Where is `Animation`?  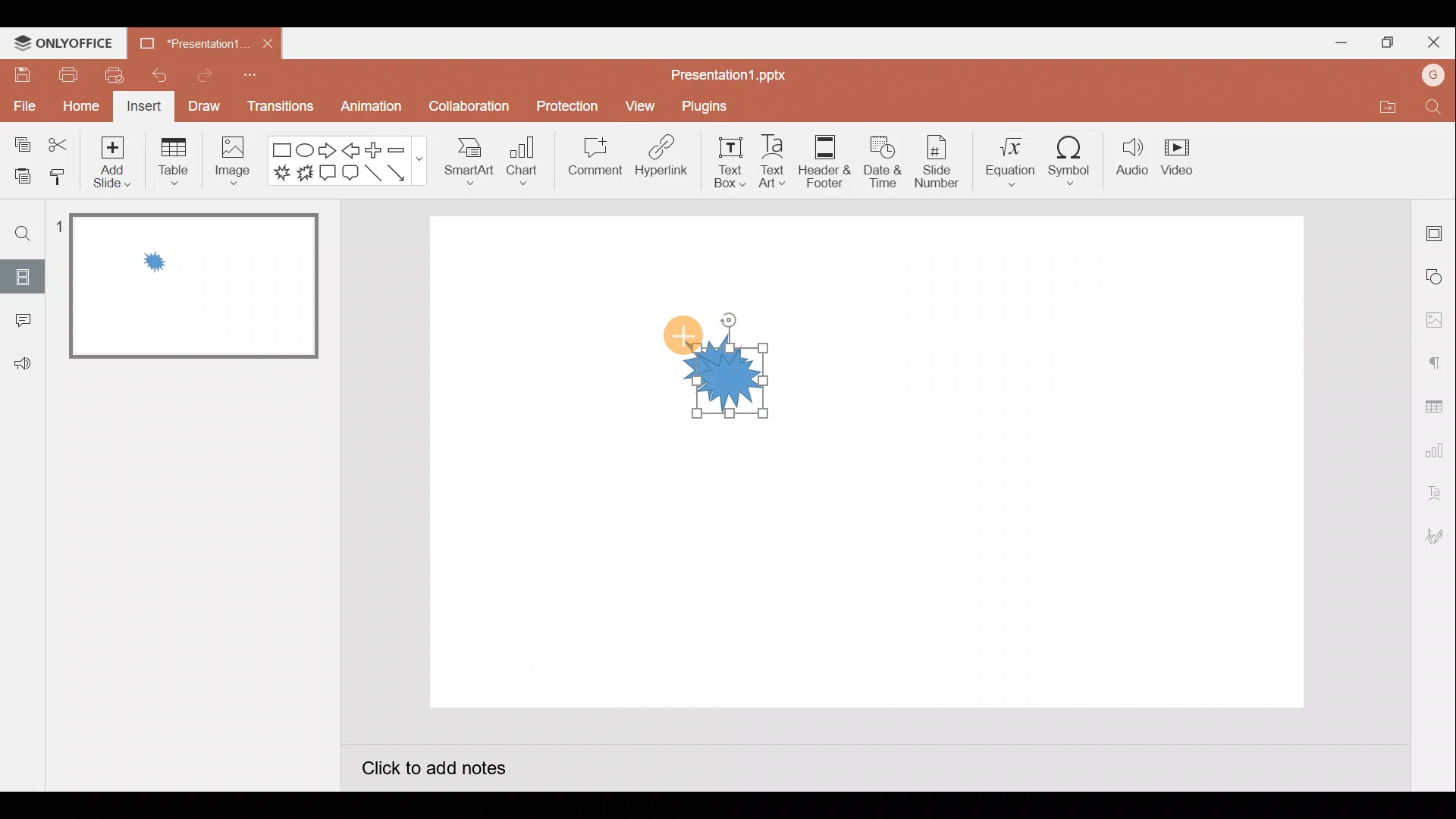 Animation is located at coordinates (368, 109).